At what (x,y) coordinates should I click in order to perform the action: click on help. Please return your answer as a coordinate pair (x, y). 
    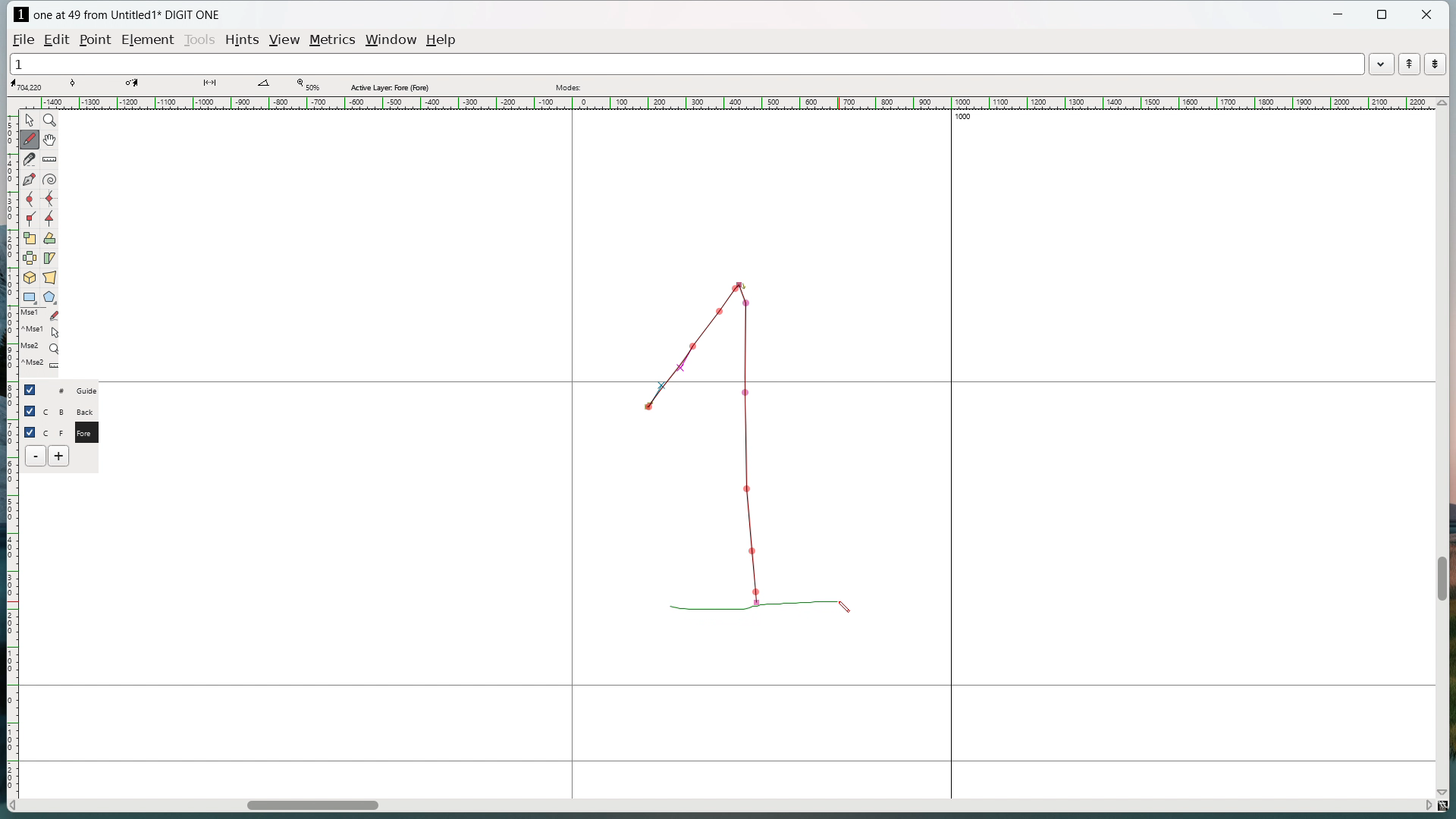
    Looking at the image, I should click on (442, 40).